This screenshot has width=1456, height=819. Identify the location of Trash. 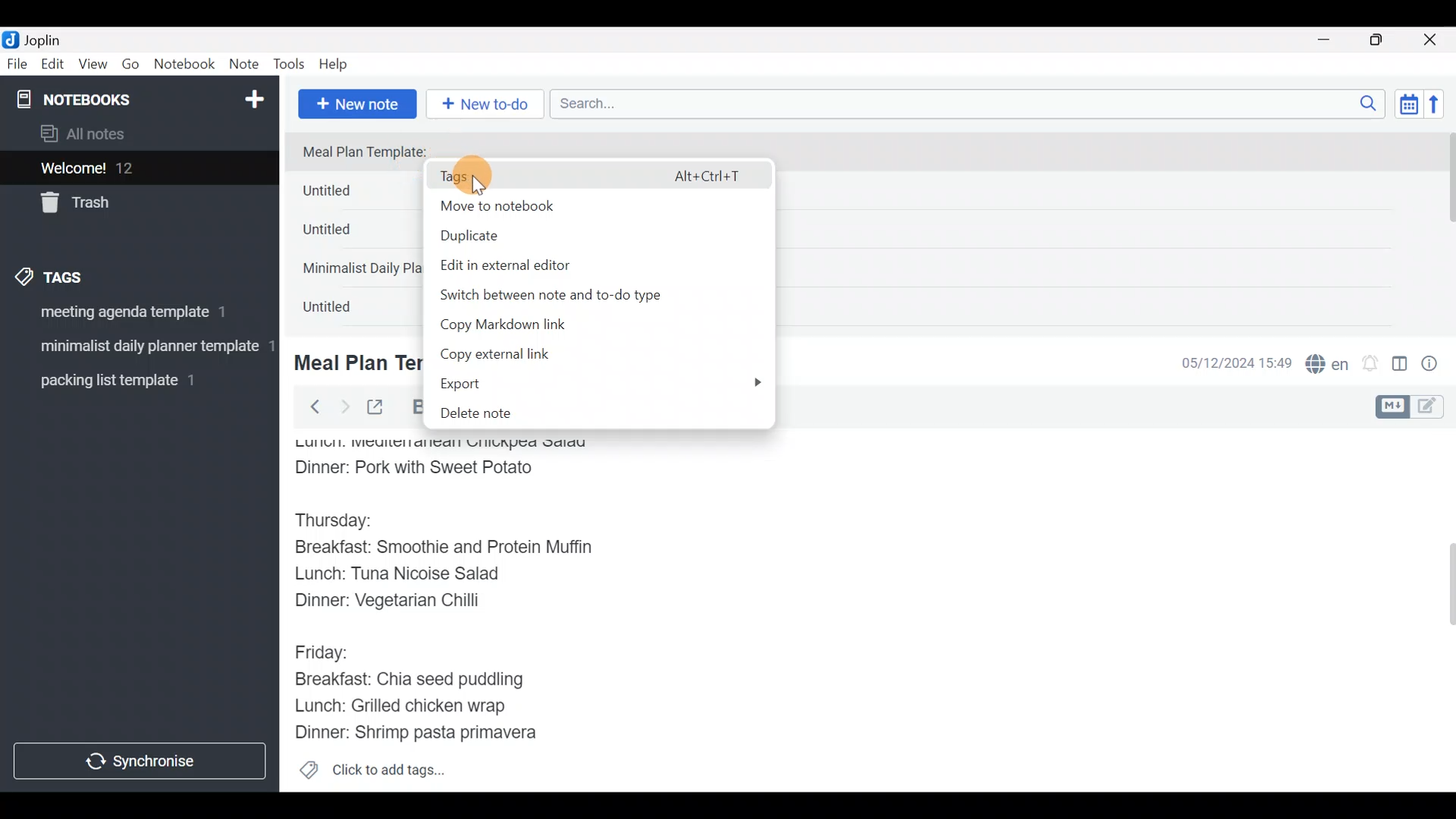
(130, 204).